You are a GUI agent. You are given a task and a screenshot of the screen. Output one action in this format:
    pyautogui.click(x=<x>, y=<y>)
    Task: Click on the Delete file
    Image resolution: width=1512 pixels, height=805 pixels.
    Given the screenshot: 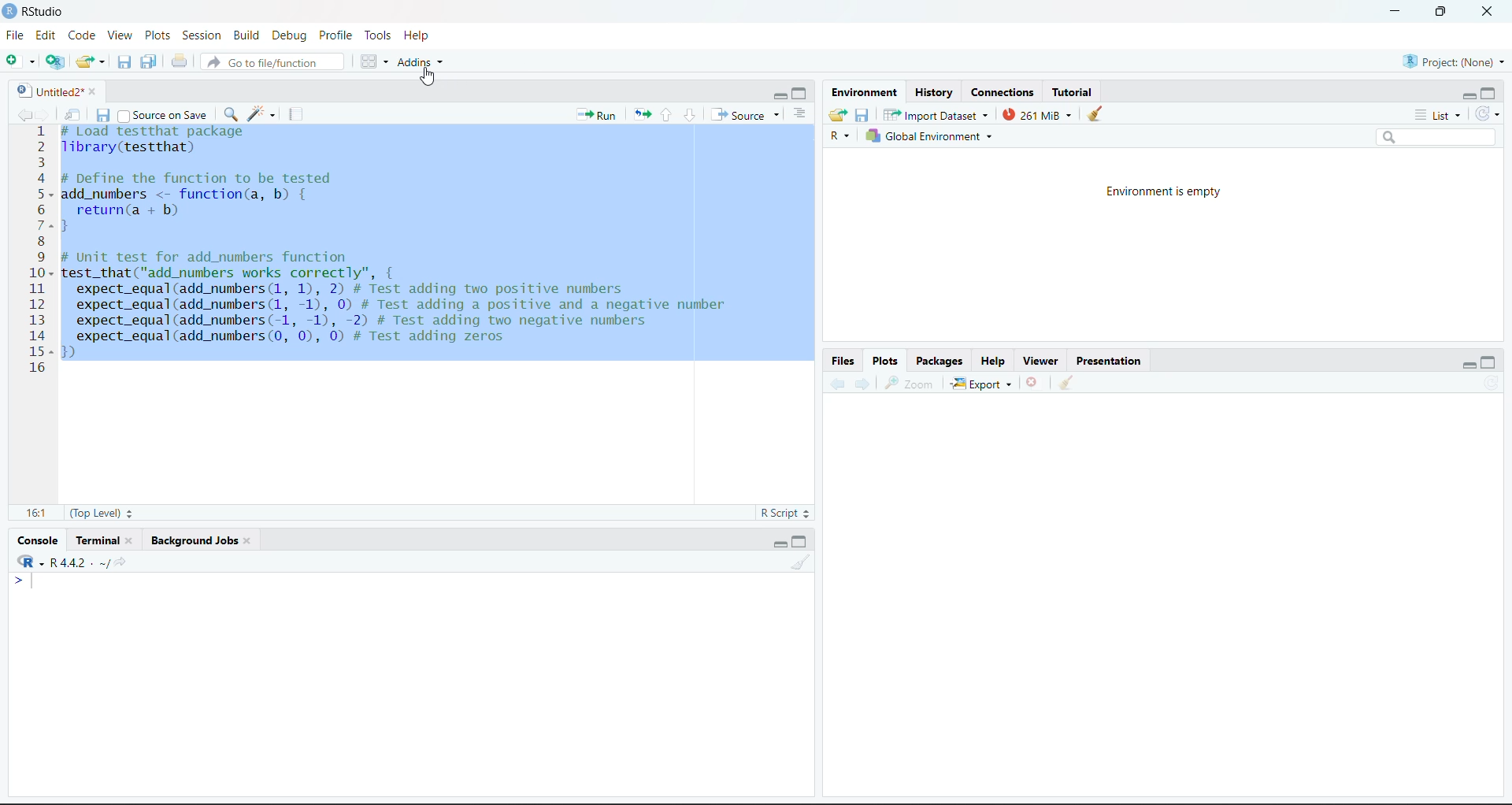 What is the action you would take?
    pyautogui.click(x=1035, y=383)
    